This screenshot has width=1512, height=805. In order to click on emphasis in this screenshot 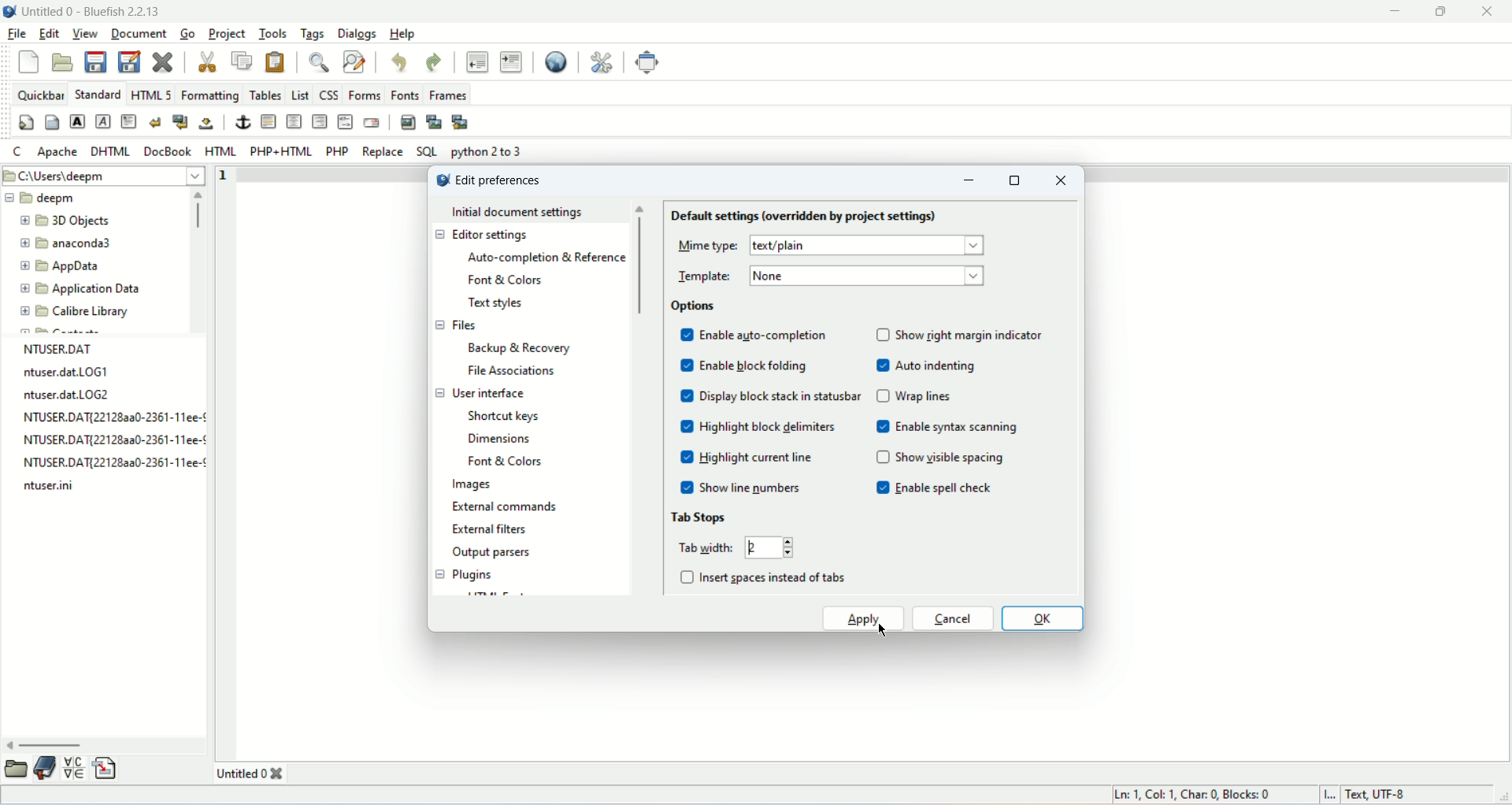, I will do `click(101, 122)`.